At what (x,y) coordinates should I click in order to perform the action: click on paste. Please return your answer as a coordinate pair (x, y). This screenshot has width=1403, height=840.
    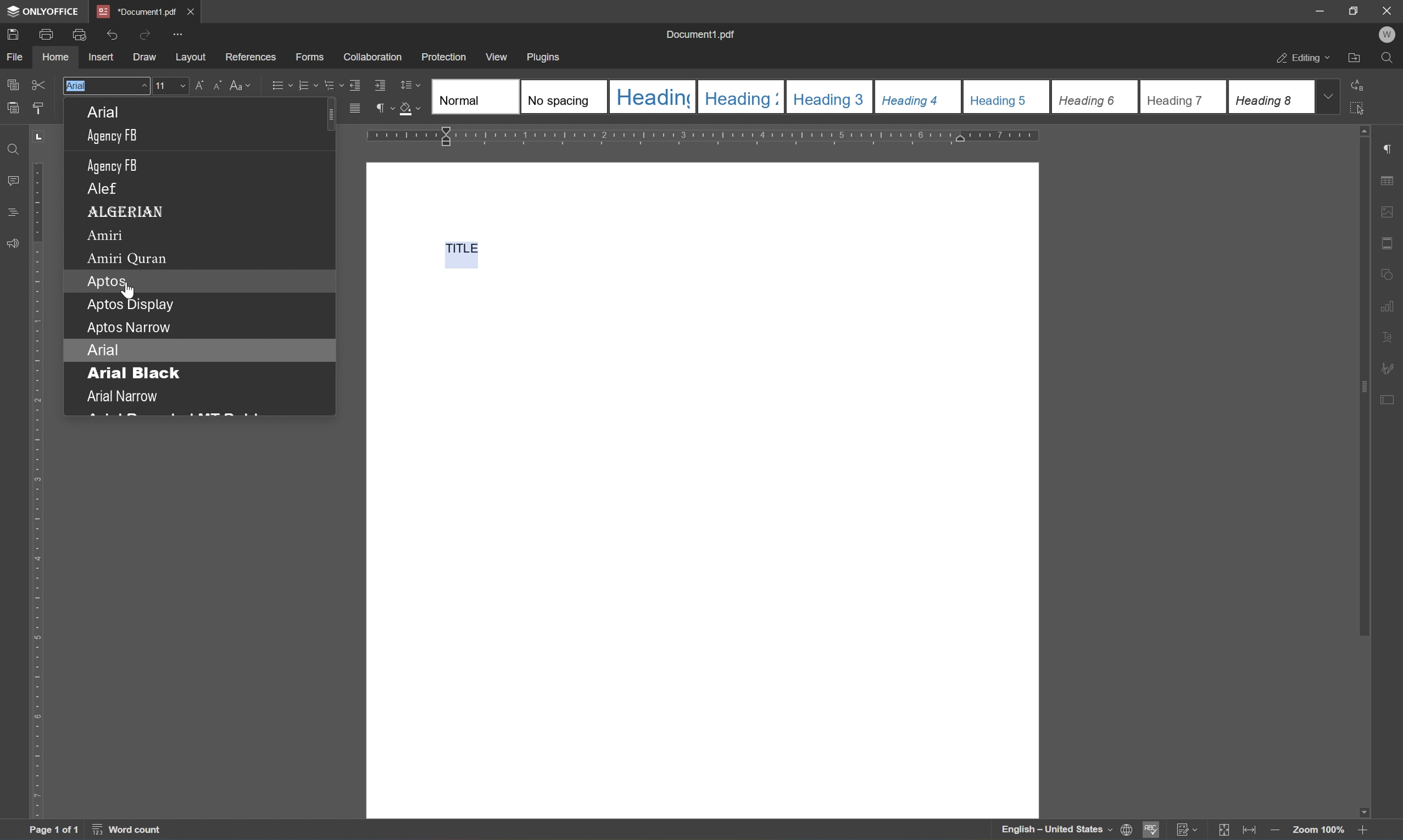
    Looking at the image, I should click on (12, 108).